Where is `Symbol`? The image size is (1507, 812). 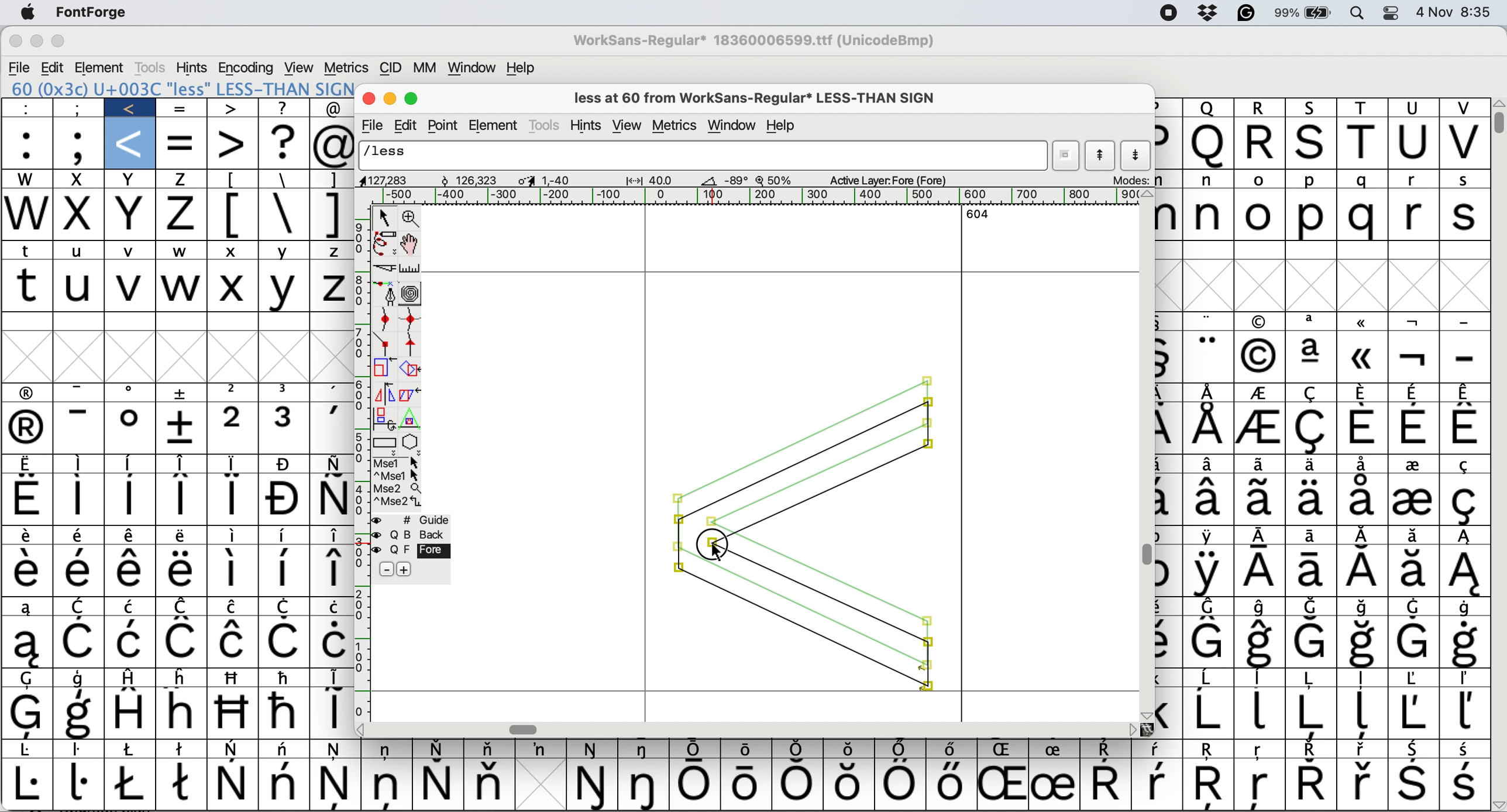 Symbol is located at coordinates (133, 678).